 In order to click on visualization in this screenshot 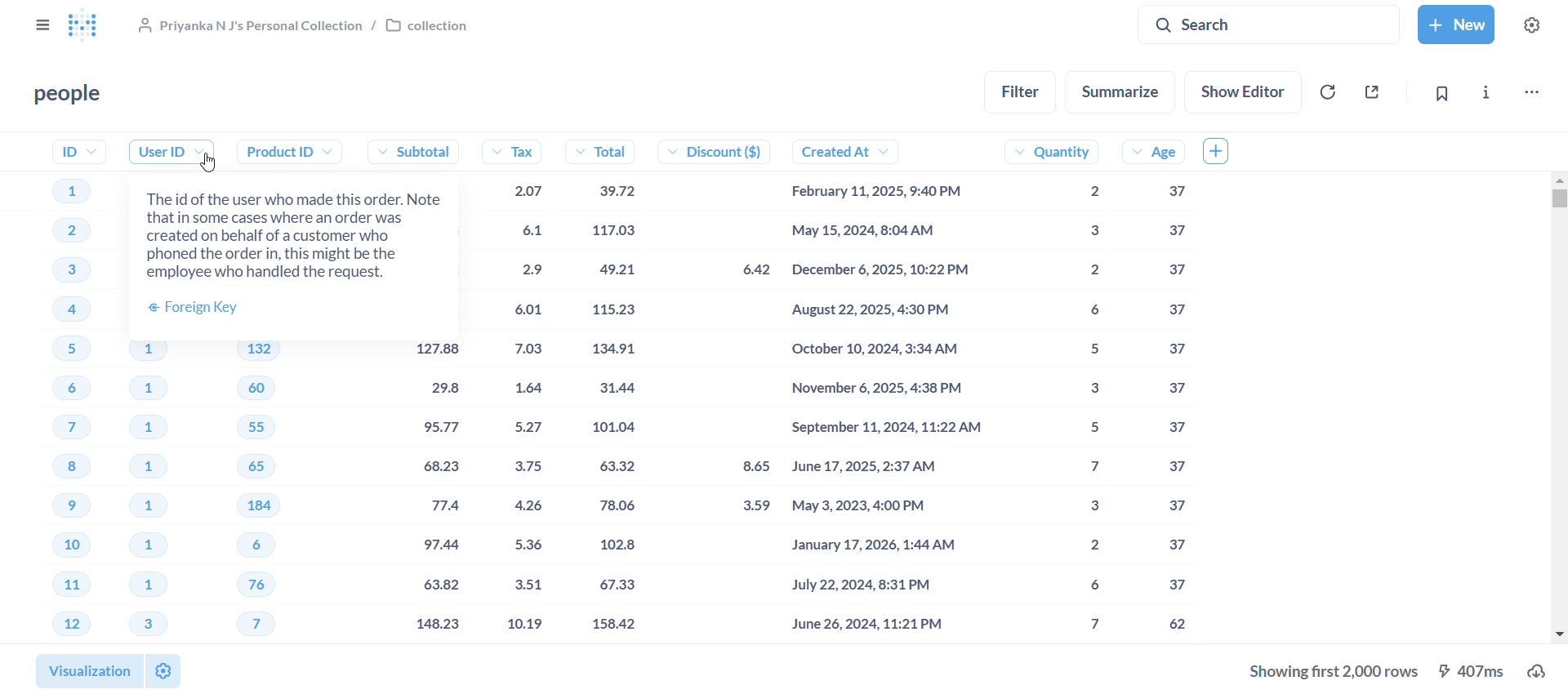, I will do `click(84, 671)`.